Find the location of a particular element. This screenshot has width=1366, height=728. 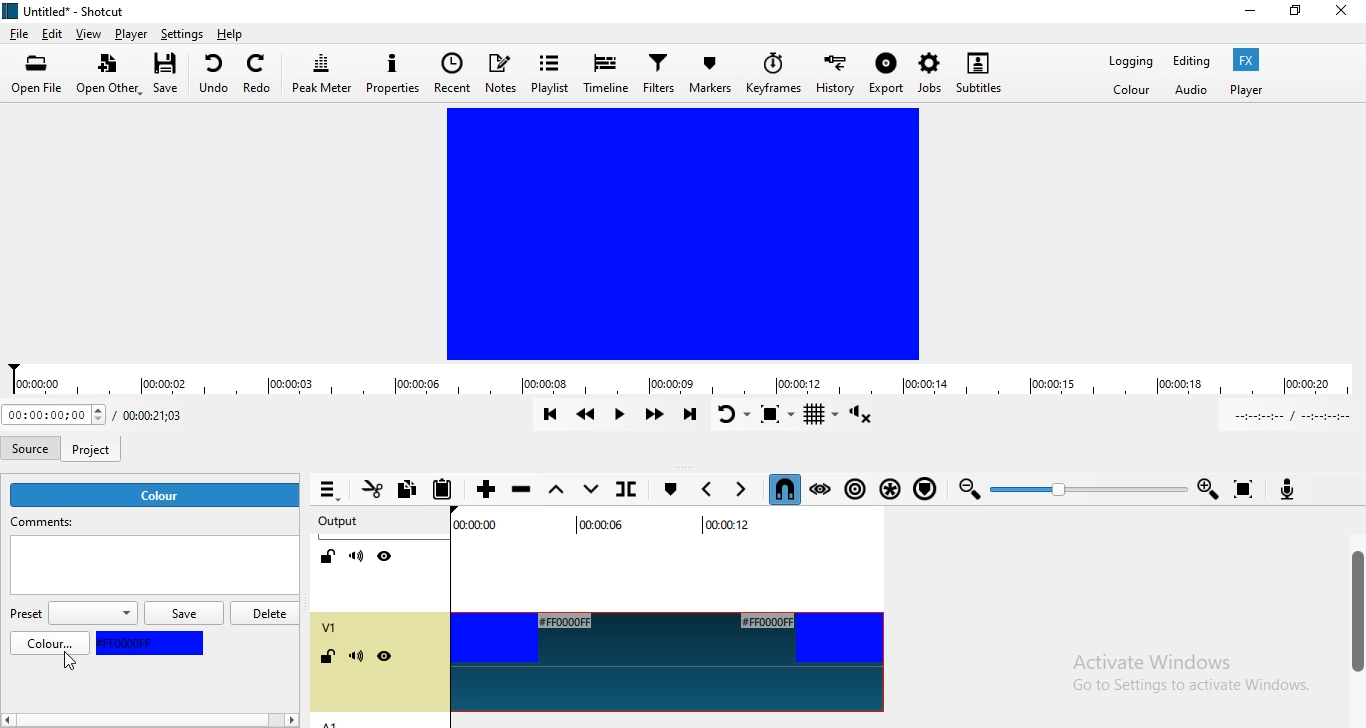

Append is located at coordinates (486, 487).